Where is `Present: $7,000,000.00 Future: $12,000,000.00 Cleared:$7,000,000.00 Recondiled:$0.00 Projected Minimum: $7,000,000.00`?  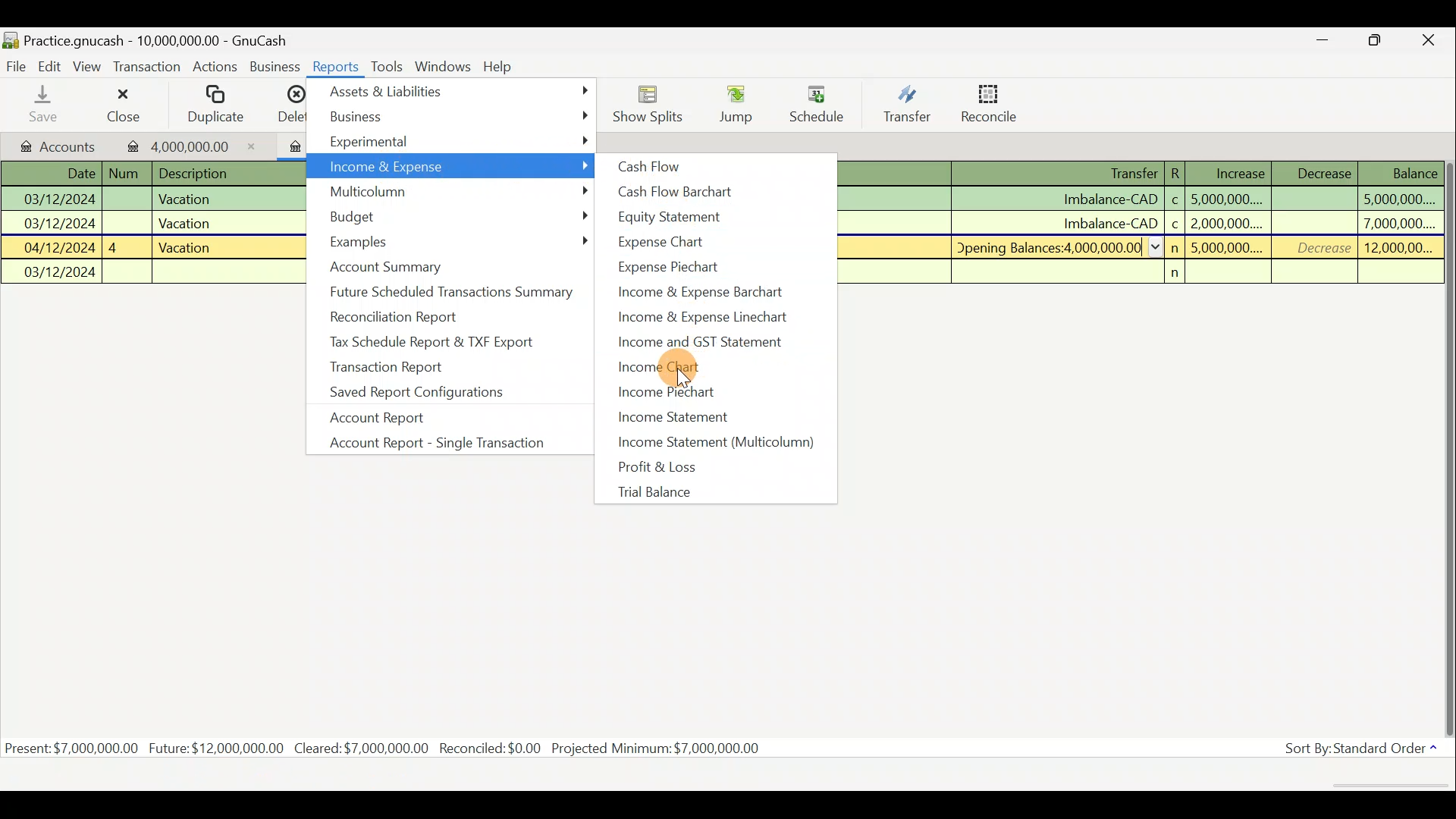 Present: $7,000,000.00 Future: $12,000,000.00 Cleared:$7,000,000.00 Recondiled:$0.00 Projected Minimum: $7,000,000.00 is located at coordinates (386, 747).